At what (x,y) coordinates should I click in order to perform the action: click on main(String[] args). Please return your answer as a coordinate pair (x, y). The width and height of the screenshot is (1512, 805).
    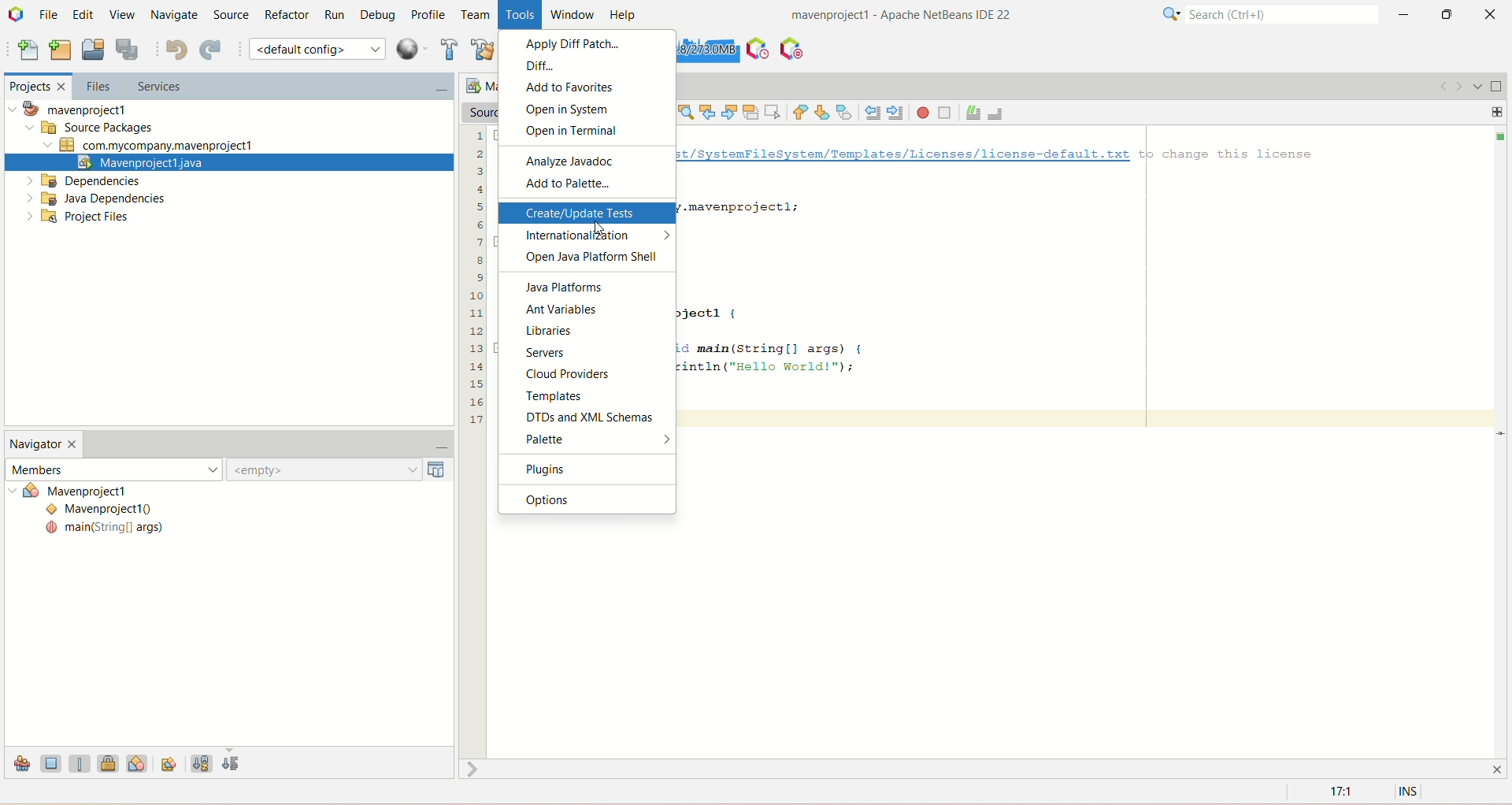
    Looking at the image, I should click on (105, 529).